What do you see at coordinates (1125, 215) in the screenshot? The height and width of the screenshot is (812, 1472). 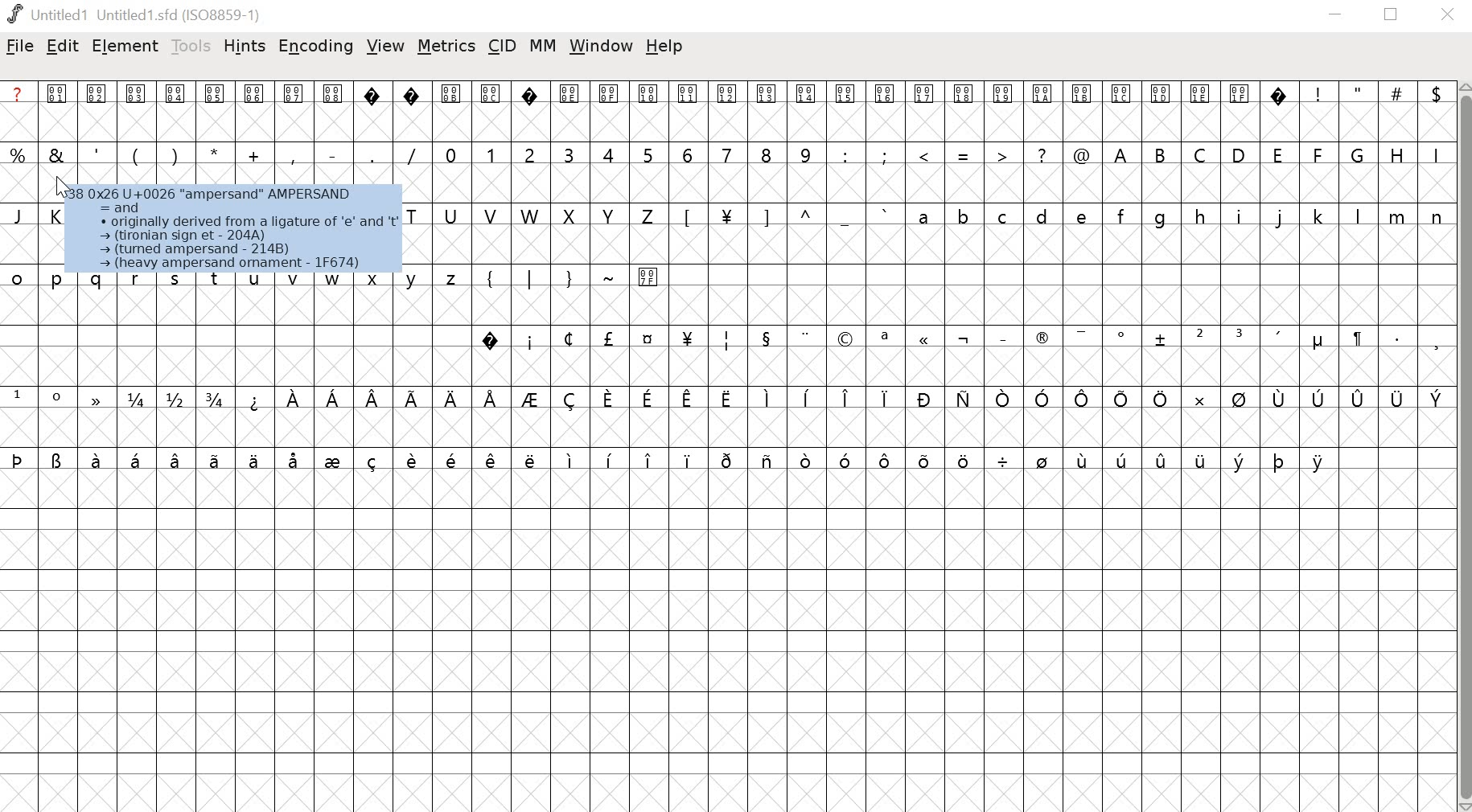 I see `f` at bounding box center [1125, 215].